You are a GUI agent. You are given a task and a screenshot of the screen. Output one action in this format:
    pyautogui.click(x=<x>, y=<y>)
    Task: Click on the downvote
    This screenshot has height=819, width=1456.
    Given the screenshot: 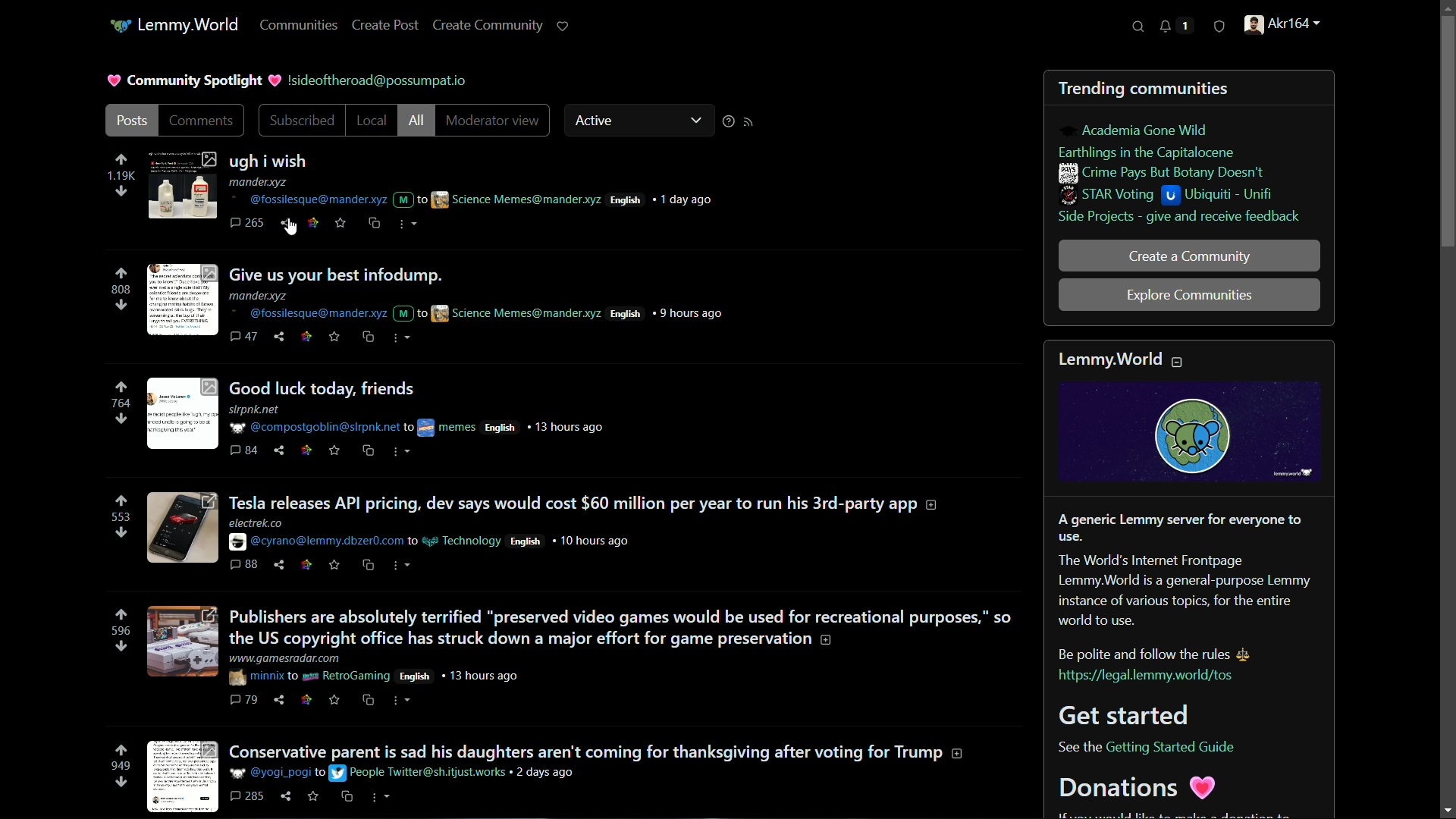 What is the action you would take?
    pyautogui.click(x=120, y=646)
    